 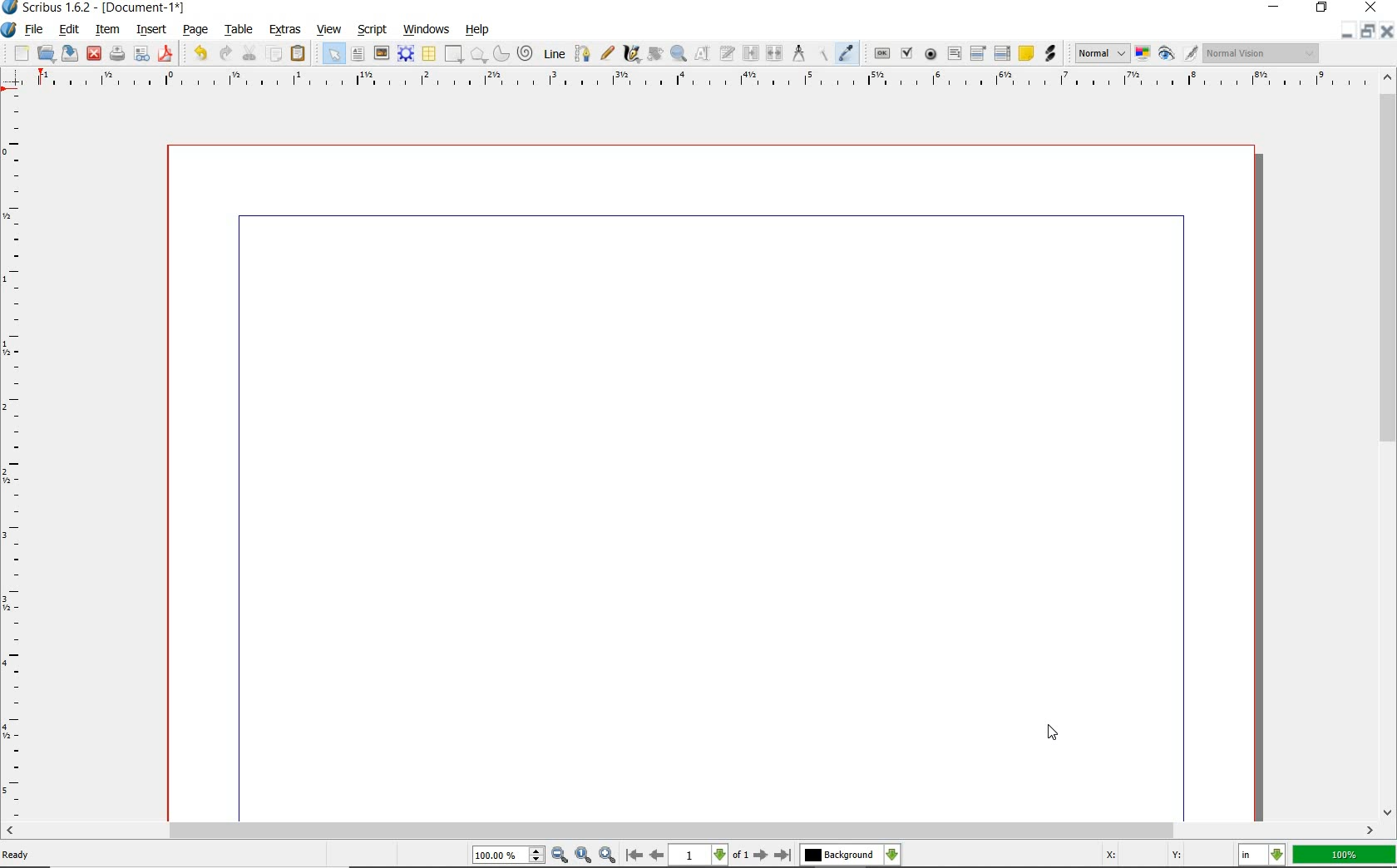 I want to click on windows, so click(x=427, y=30).